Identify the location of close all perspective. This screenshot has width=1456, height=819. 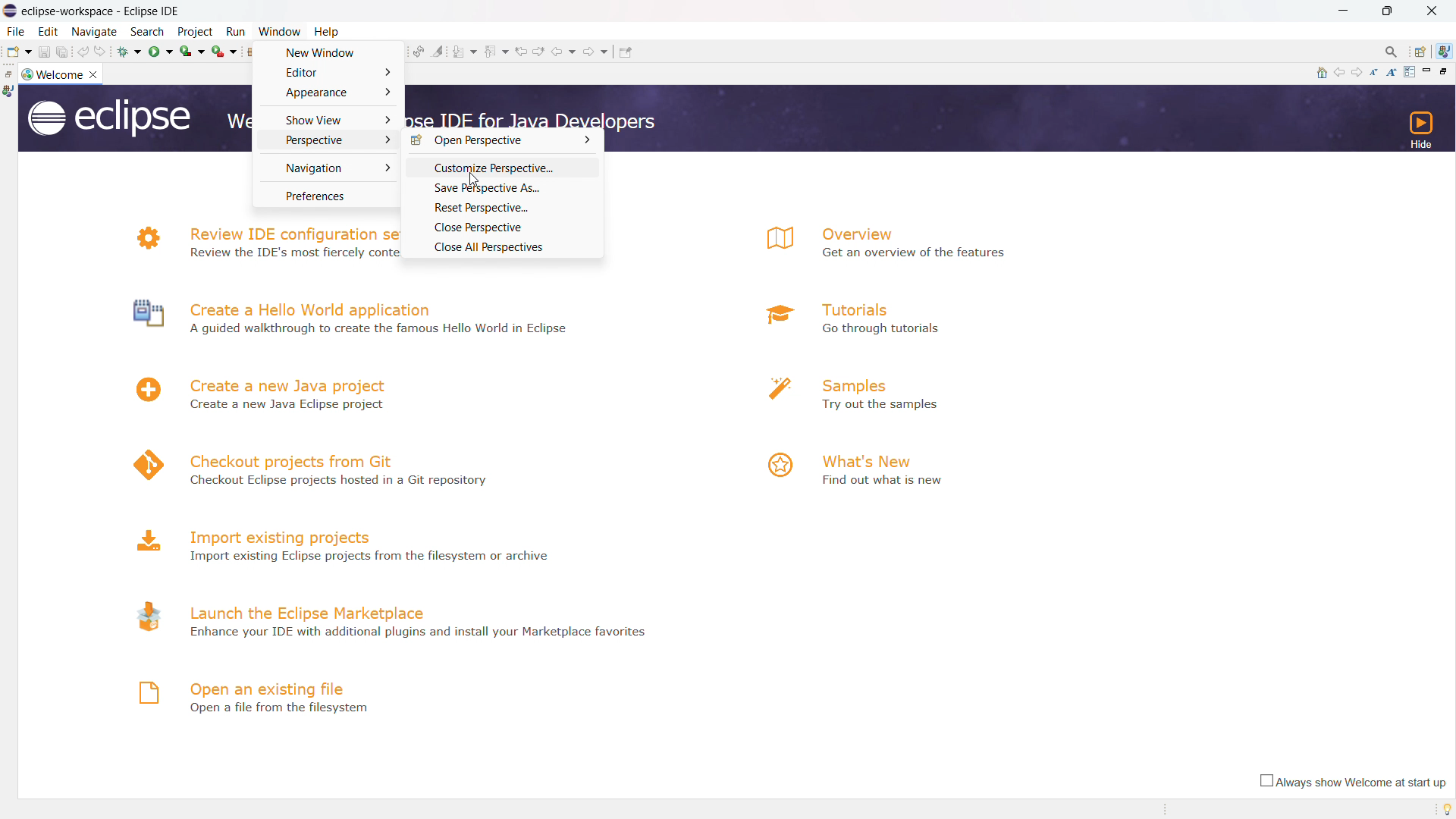
(503, 246).